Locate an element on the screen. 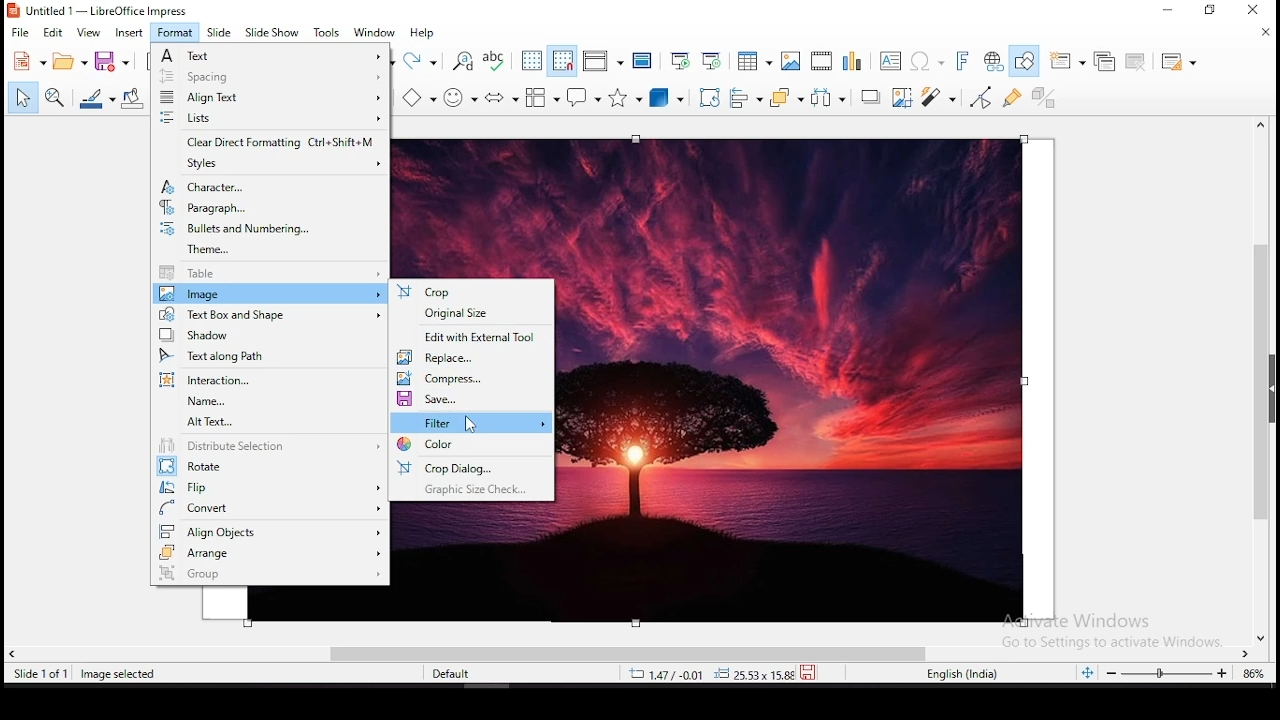  duplicate slide is located at coordinates (1102, 60).